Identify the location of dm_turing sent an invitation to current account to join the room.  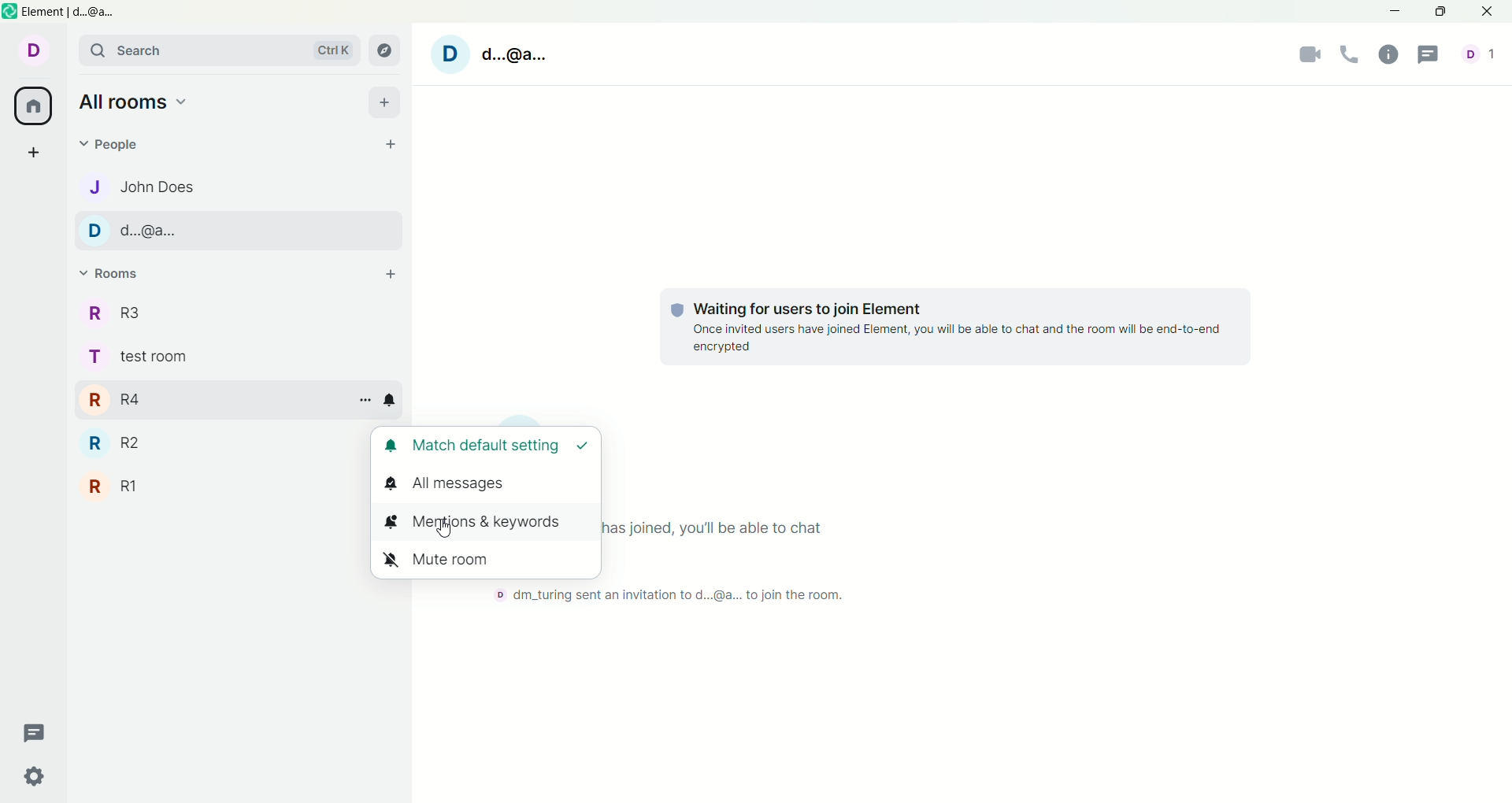
(667, 595).